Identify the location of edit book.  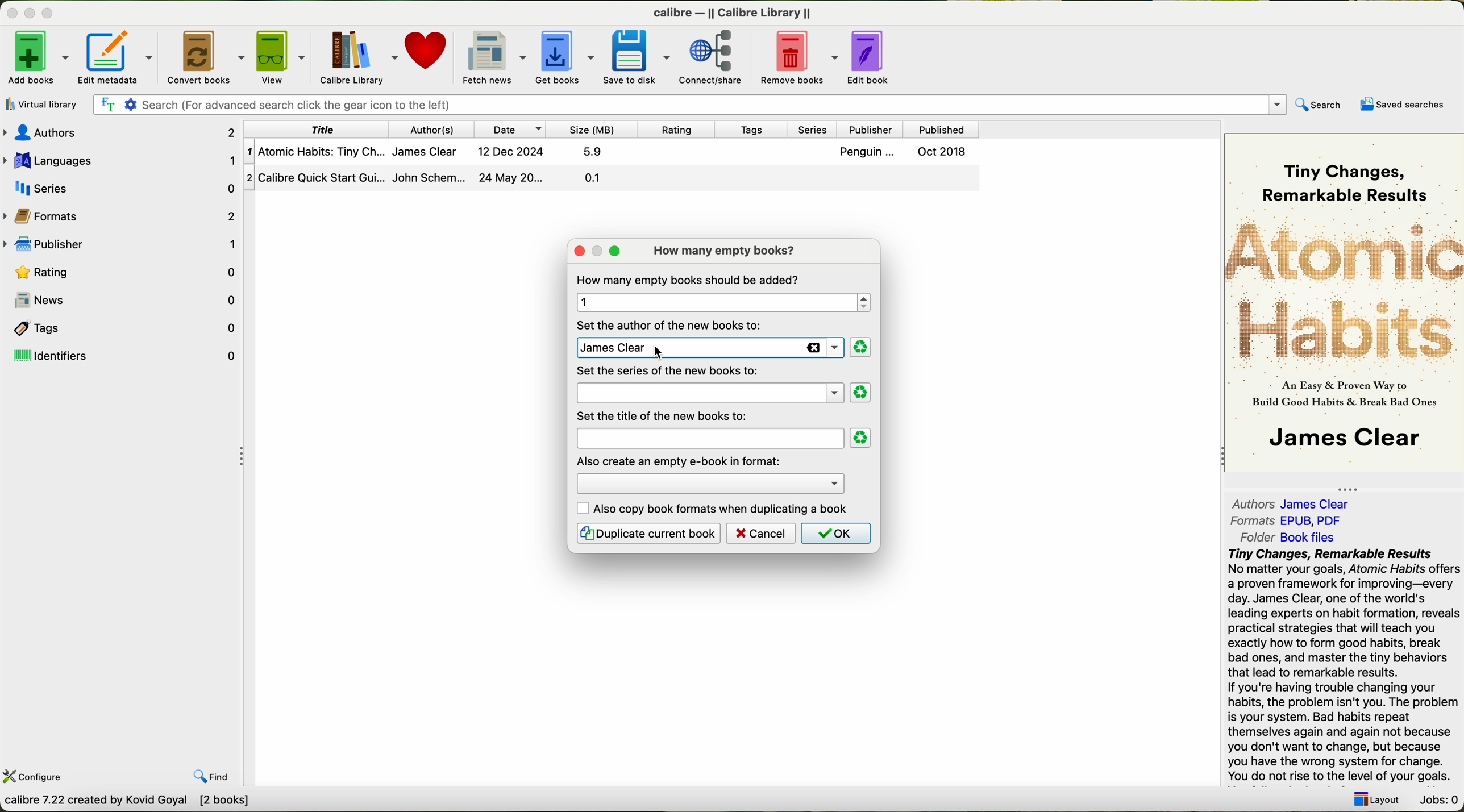
(873, 59).